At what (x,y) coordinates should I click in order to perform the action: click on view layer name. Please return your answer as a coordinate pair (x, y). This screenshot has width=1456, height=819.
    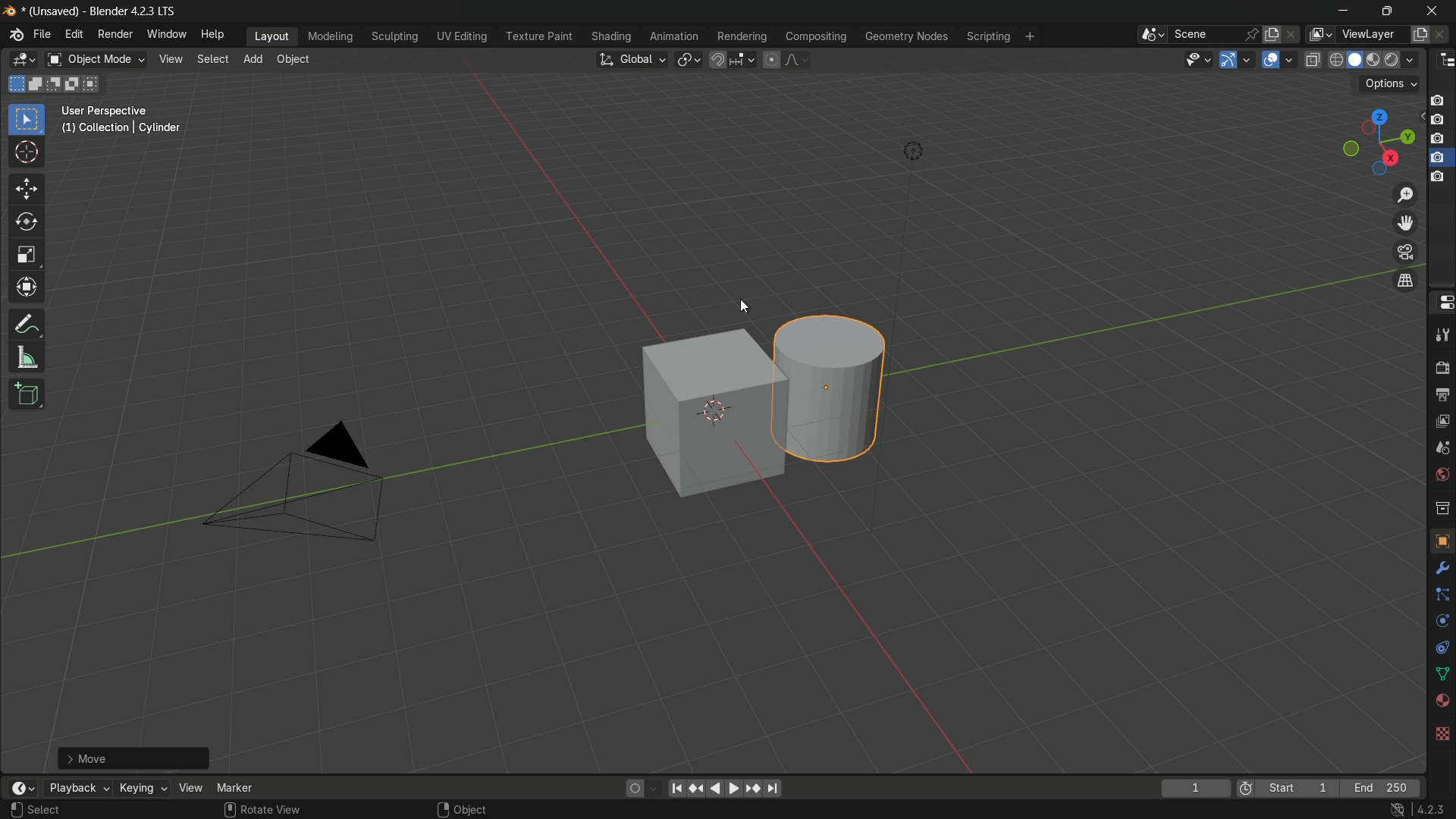
    Looking at the image, I should click on (1372, 35).